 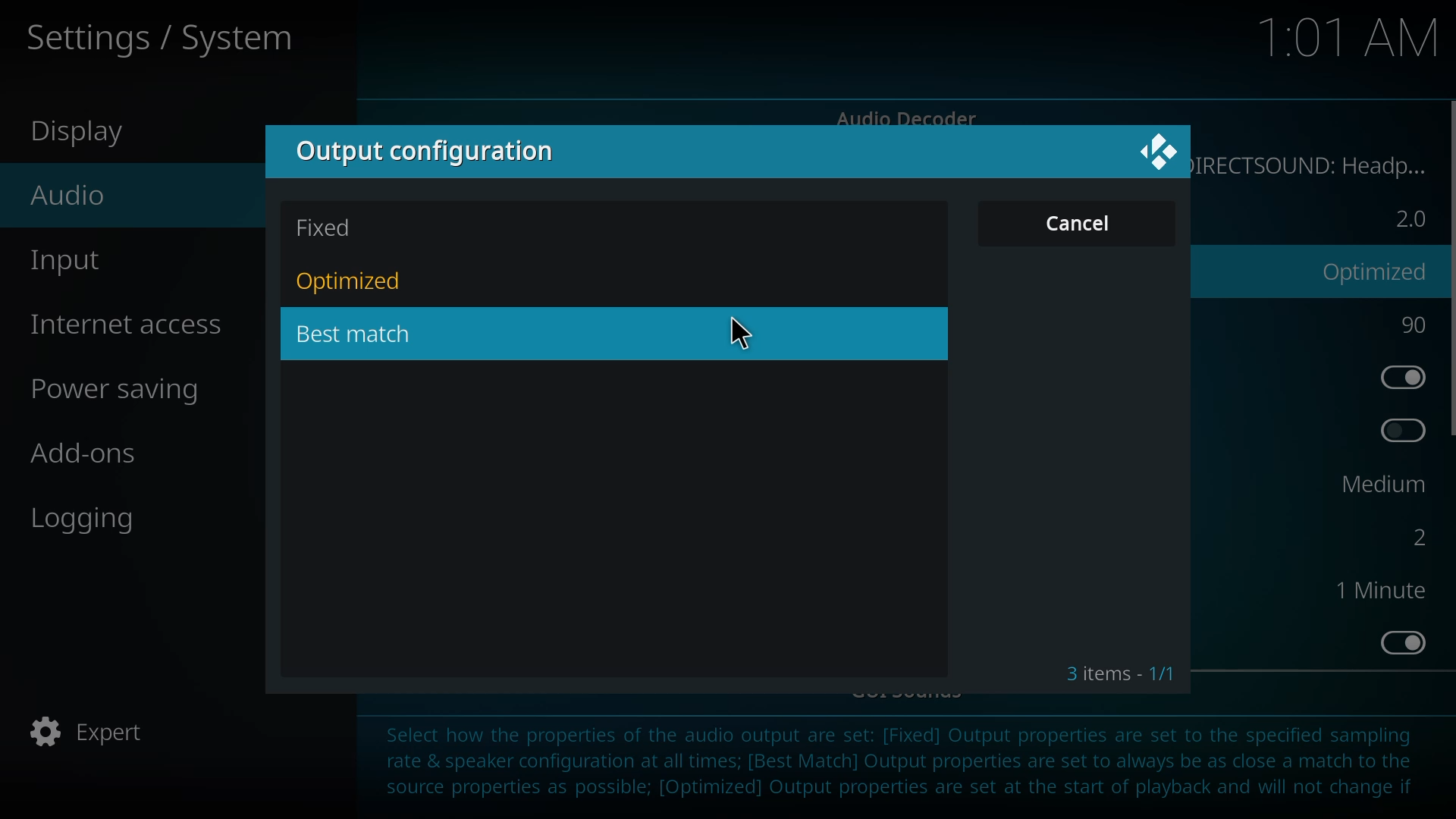 I want to click on optimized, so click(x=351, y=282).